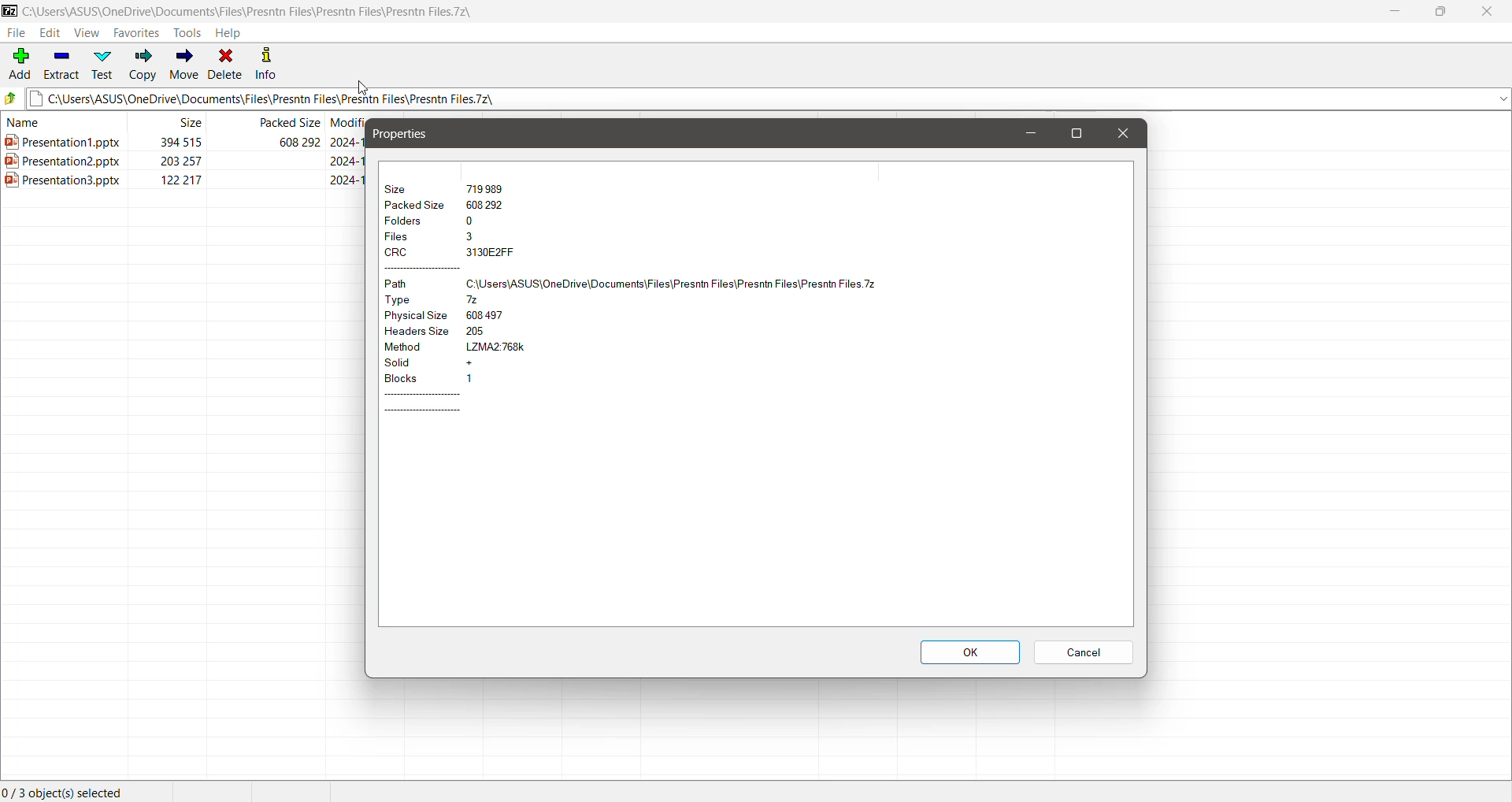 The image size is (1512, 802). What do you see at coordinates (188, 182) in the screenshot?
I see `122217` at bounding box center [188, 182].